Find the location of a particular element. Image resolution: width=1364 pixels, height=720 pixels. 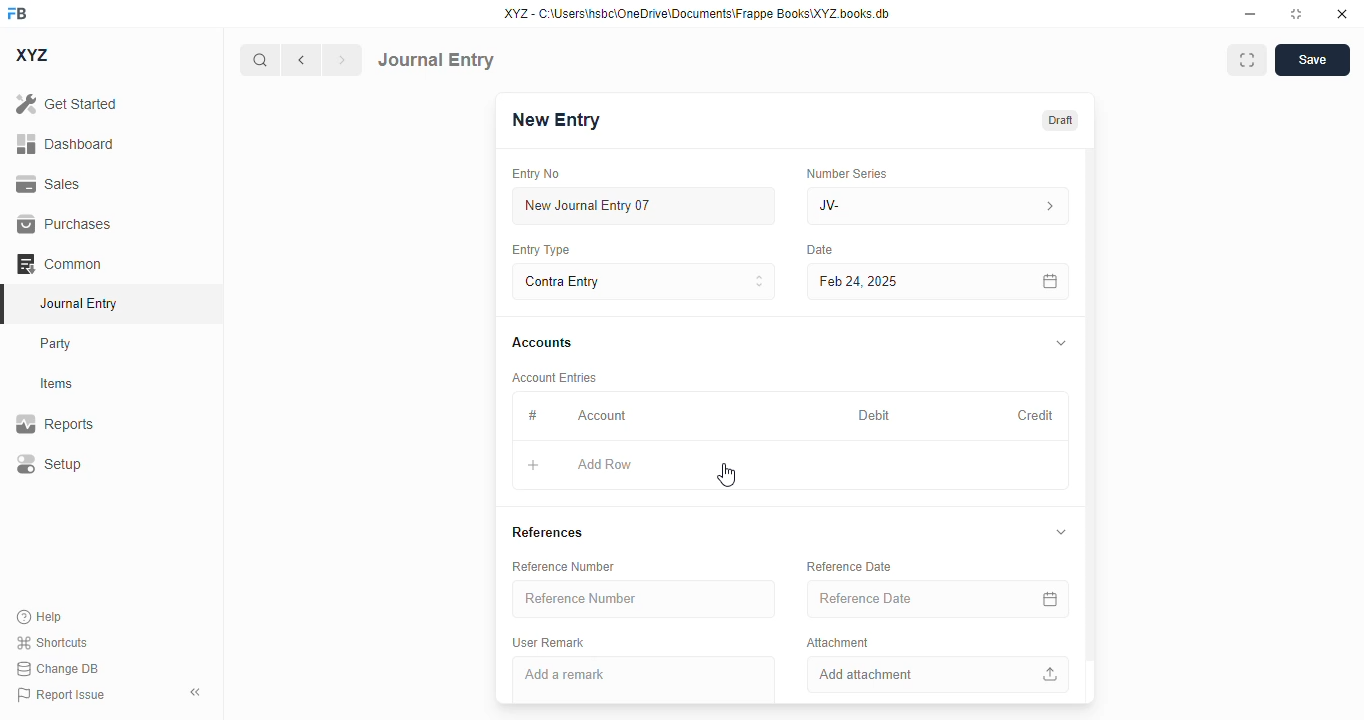

draft is located at coordinates (1061, 119).